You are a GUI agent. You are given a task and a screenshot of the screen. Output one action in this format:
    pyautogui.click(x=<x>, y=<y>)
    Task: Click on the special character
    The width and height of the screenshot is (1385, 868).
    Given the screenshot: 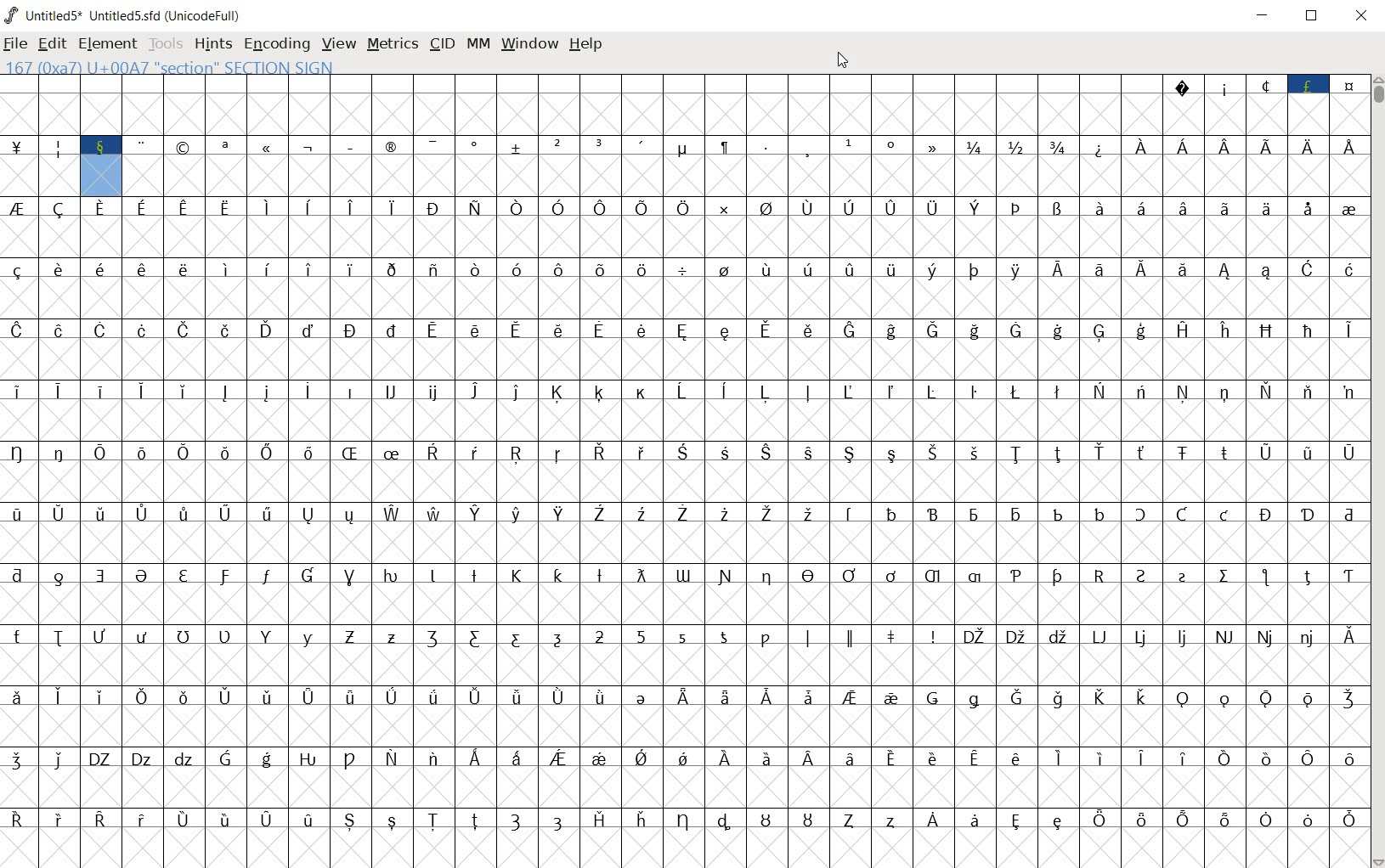 What is the action you would take?
    pyautogui.click(x=789, y=166)
    